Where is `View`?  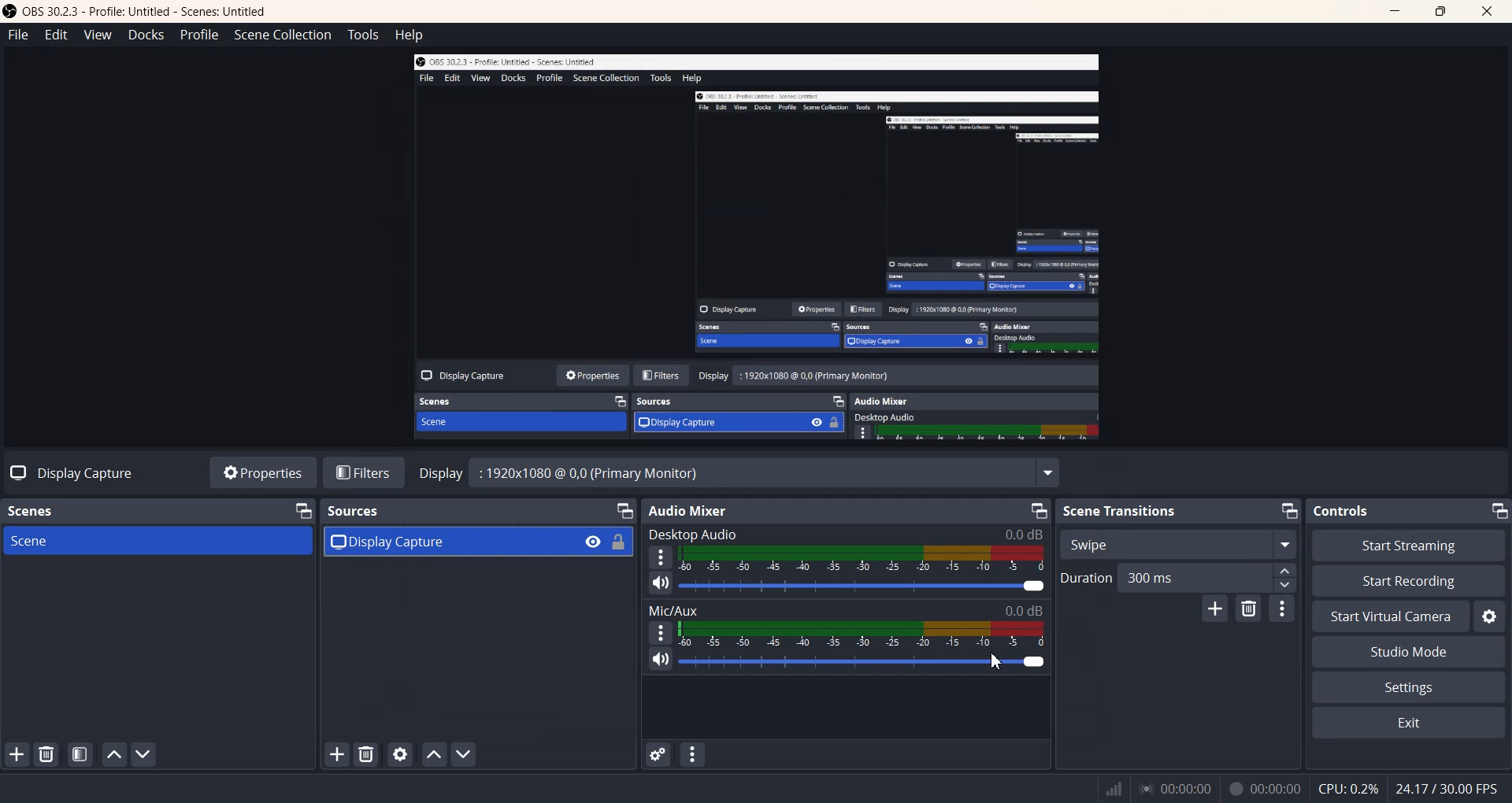
View is located at coordinates (97, 35).